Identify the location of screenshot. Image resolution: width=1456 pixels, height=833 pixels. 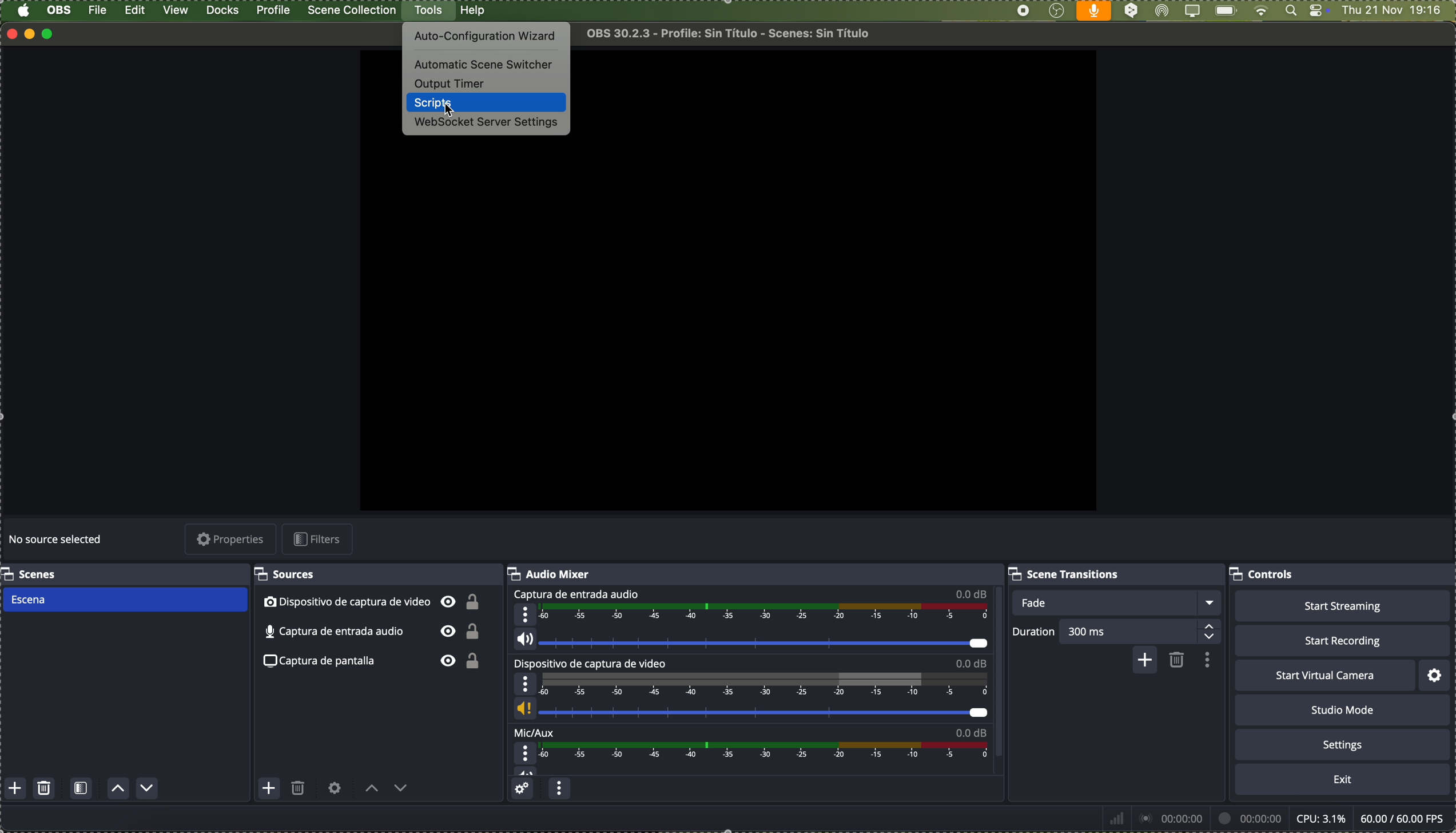
(376, 663).